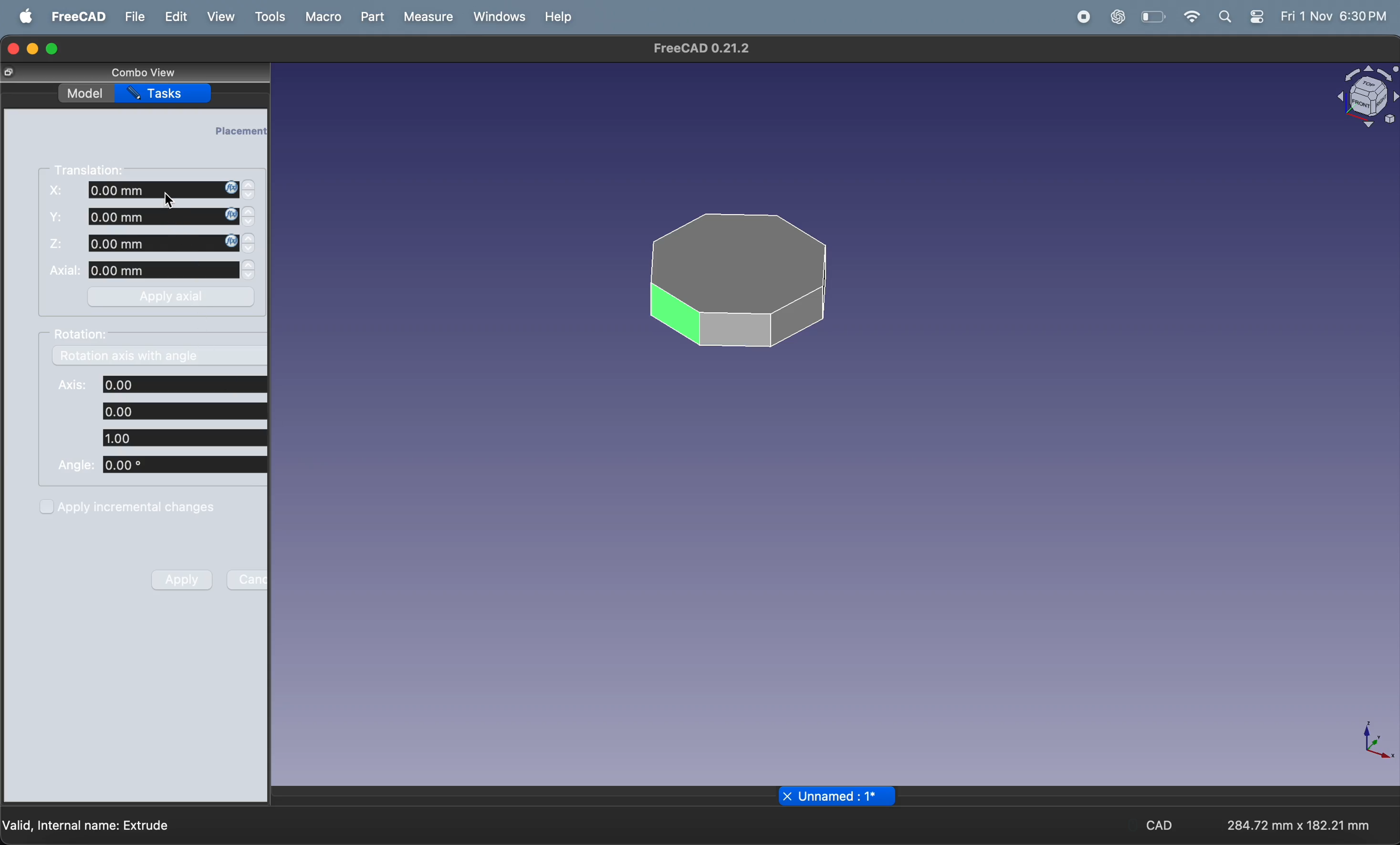 The width and height of the screenshot is (1400, 845). I want to click on apple menu, so click(23, 17).